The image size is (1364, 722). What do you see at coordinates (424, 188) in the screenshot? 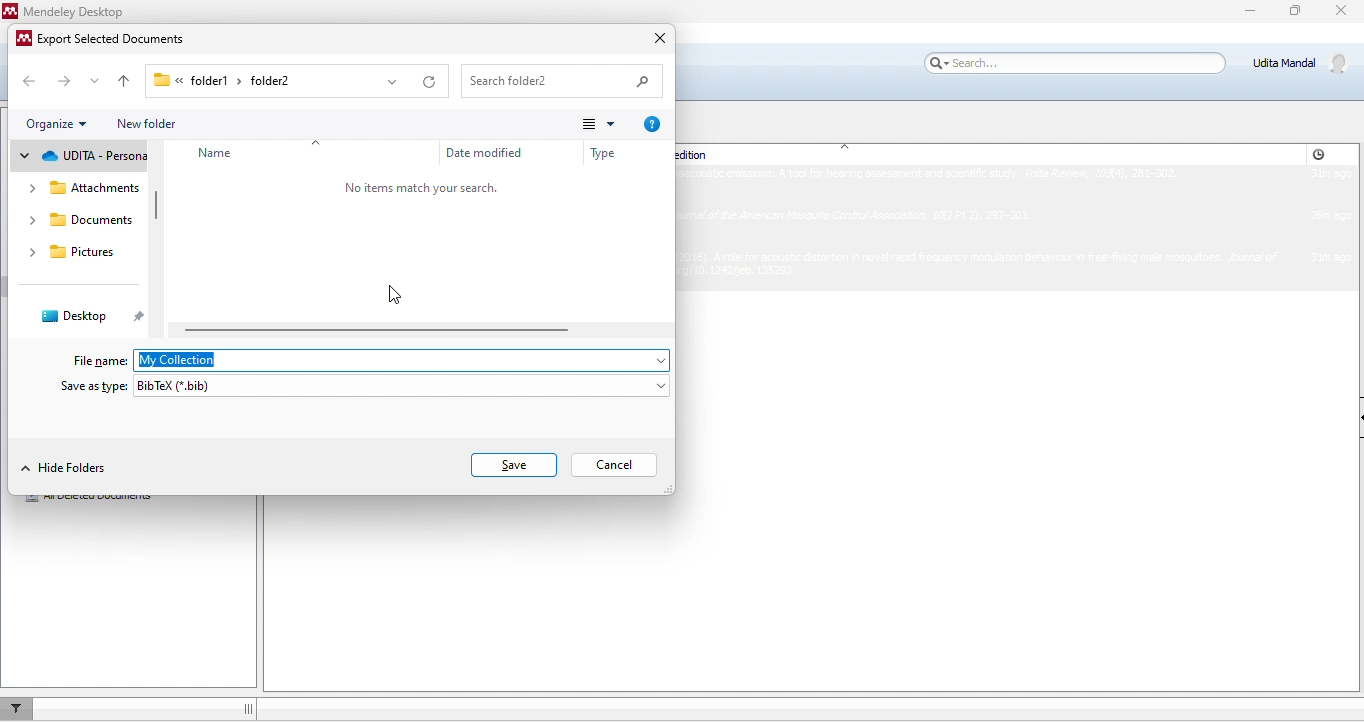
I see `no items` at bounding box center [424, 188].